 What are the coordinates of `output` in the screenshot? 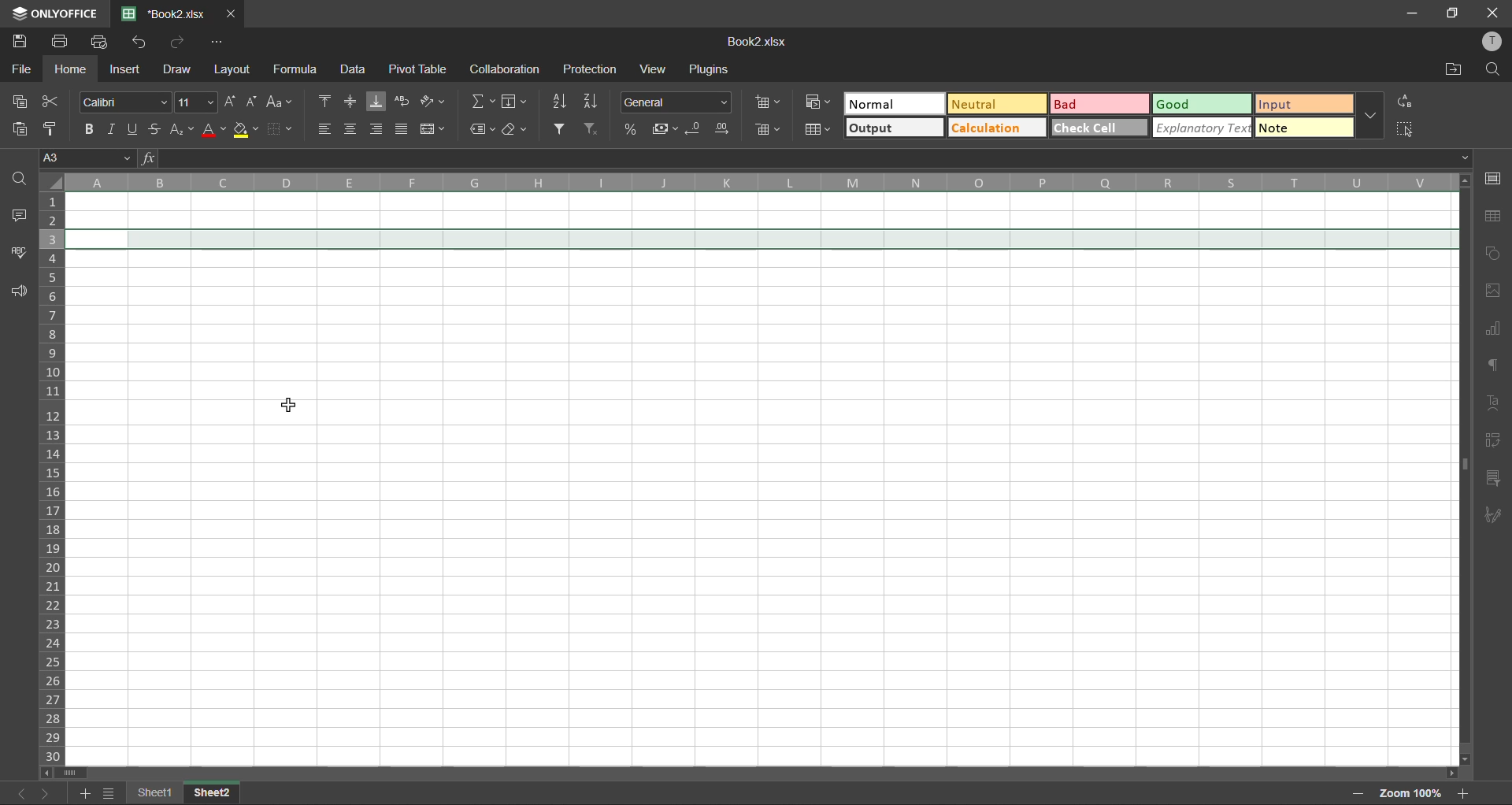 It's located at (892, 129).